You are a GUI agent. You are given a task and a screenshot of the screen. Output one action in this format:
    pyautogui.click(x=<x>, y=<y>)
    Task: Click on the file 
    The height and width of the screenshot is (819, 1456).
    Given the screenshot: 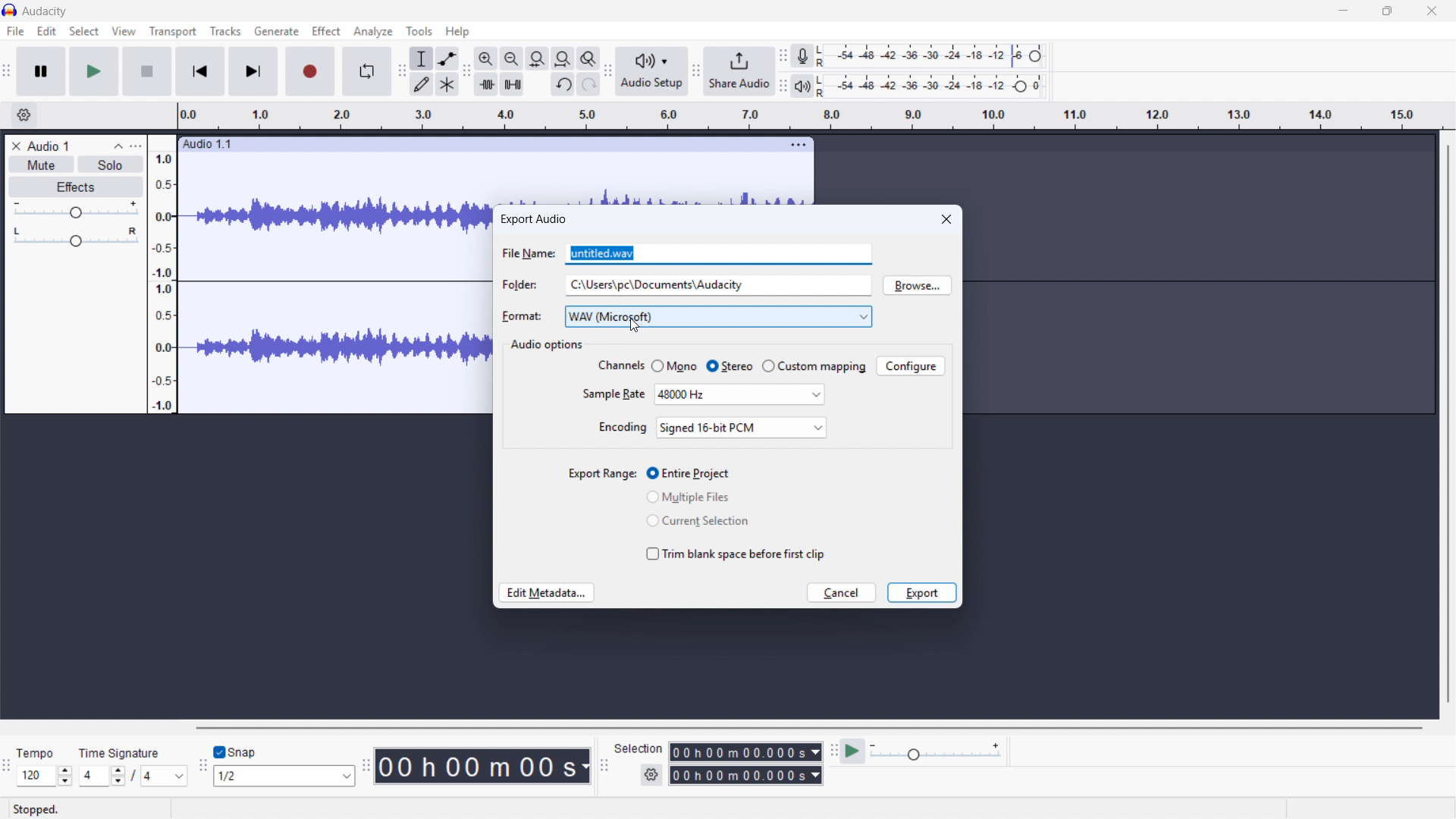 What is the action you would take?
    pyautogui.click(x=15, y=33)
    